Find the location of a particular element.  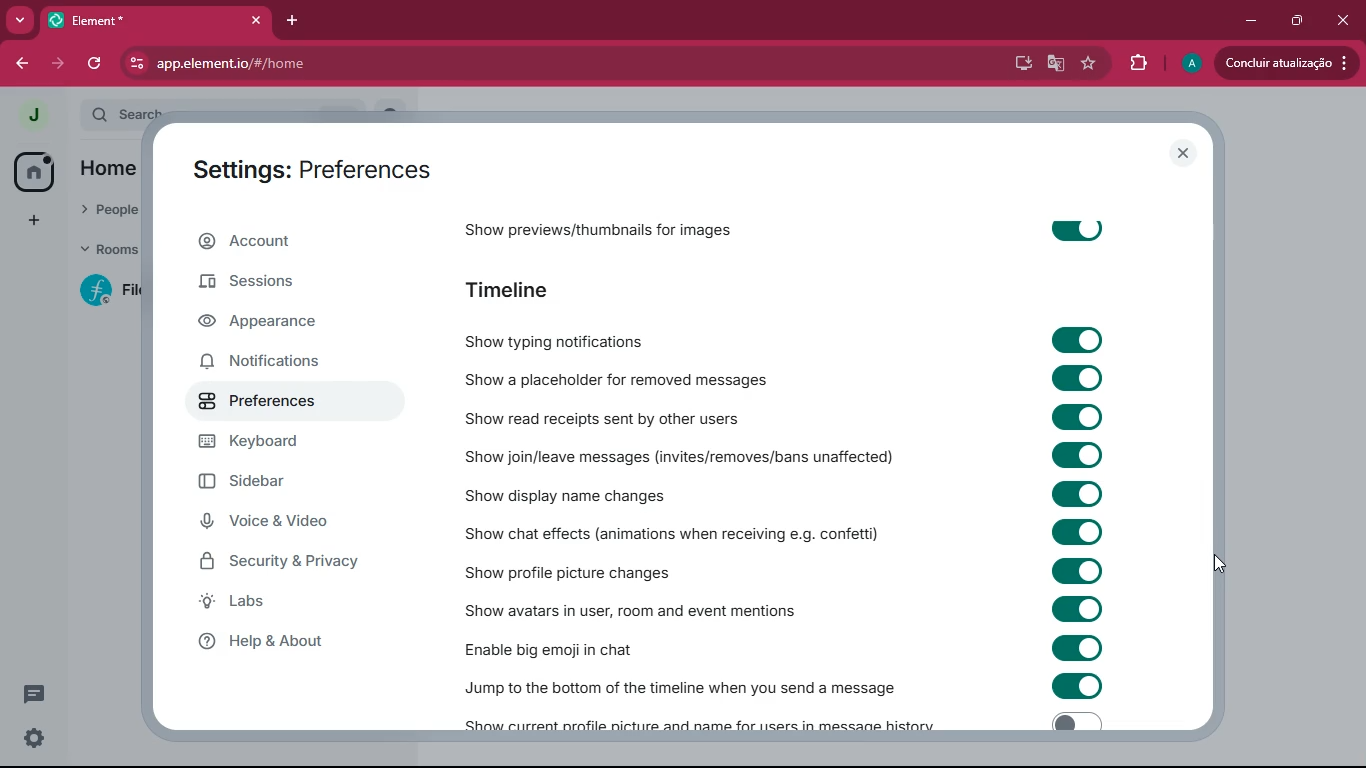

toggle on  is located at coordinates (1081, 455).